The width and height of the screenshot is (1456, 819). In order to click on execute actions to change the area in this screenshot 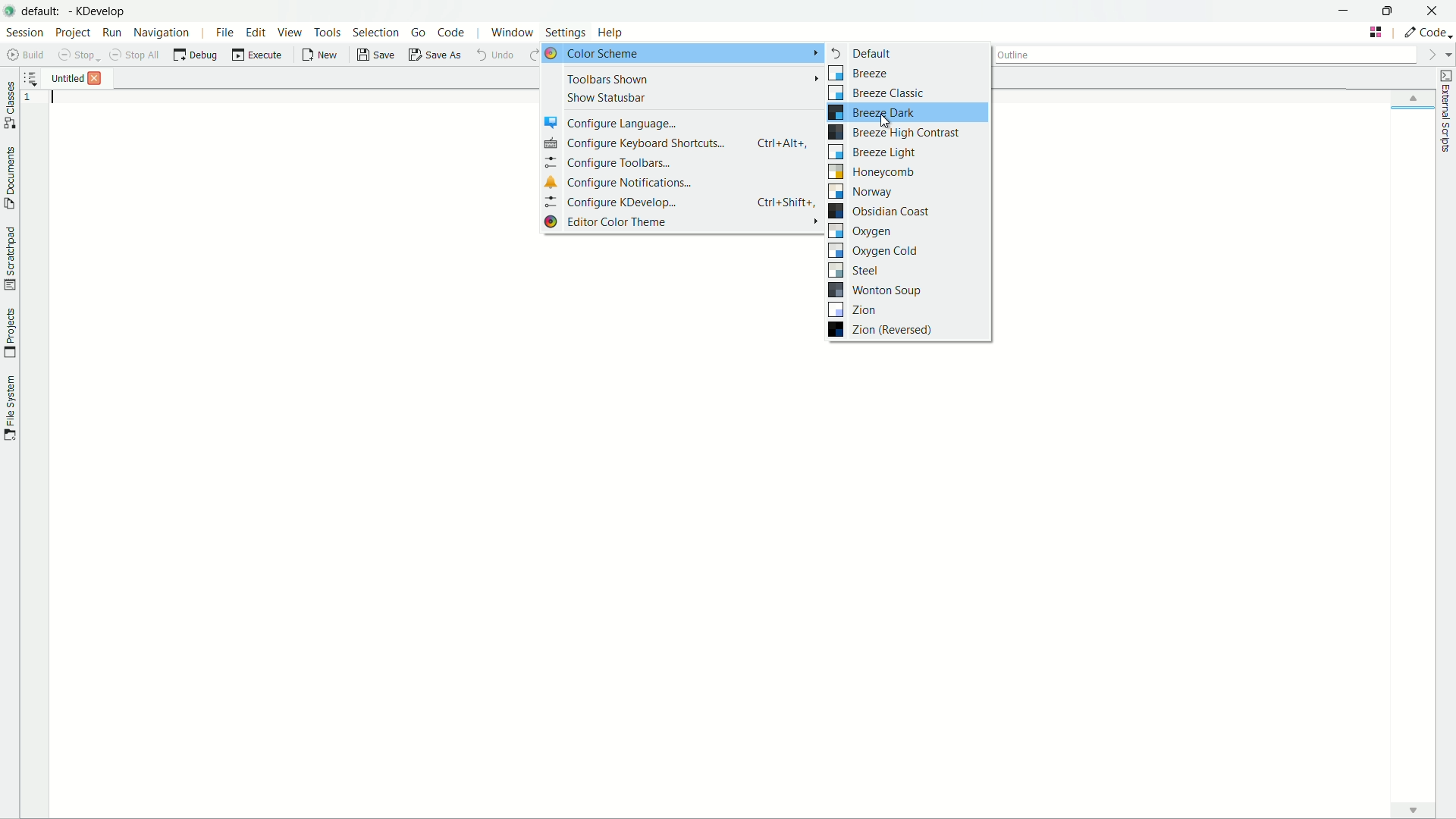, I will do `click(1426, 32)`.